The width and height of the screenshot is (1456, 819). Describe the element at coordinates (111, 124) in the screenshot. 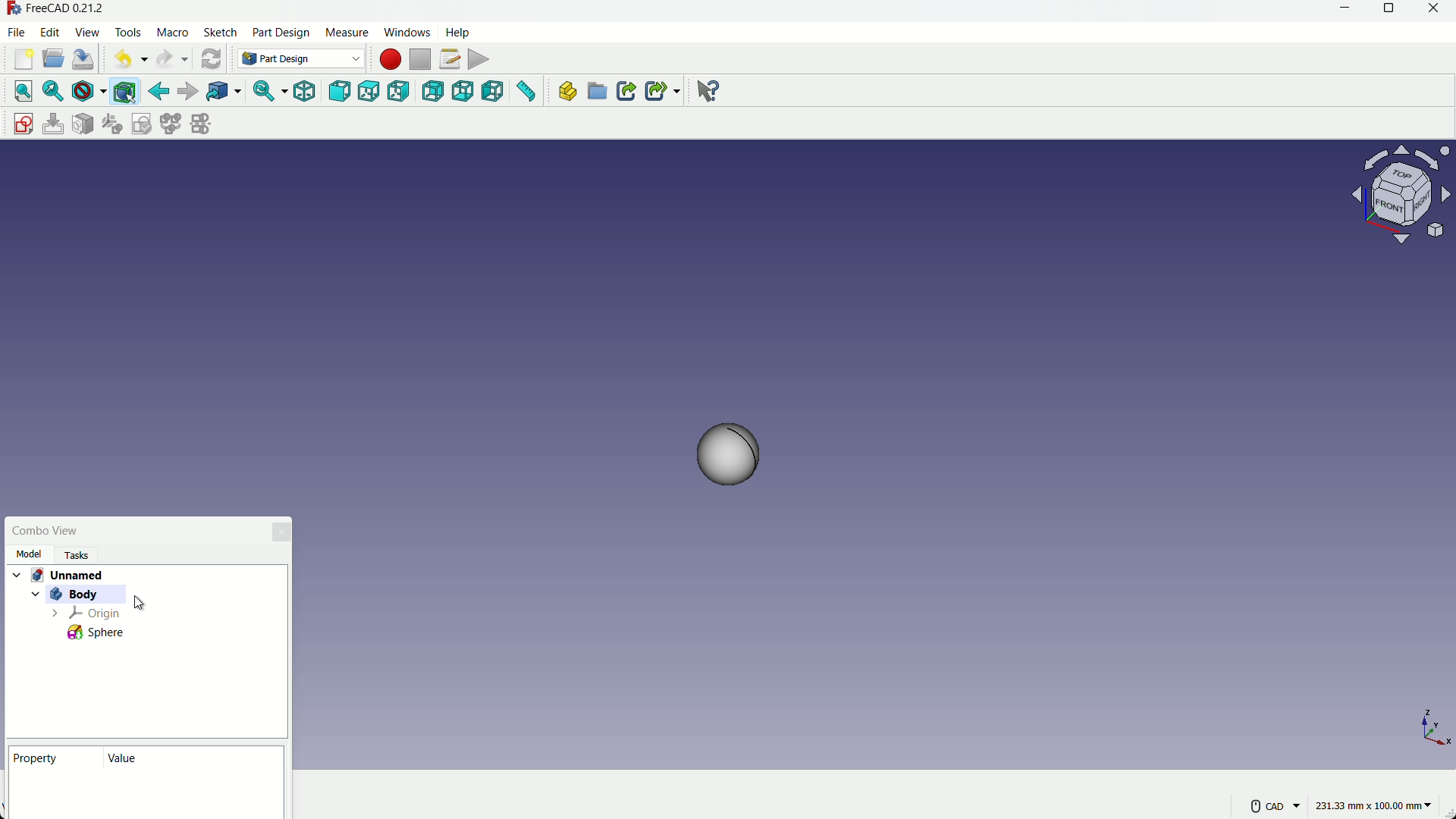

I see `reorient sketch` at that location.